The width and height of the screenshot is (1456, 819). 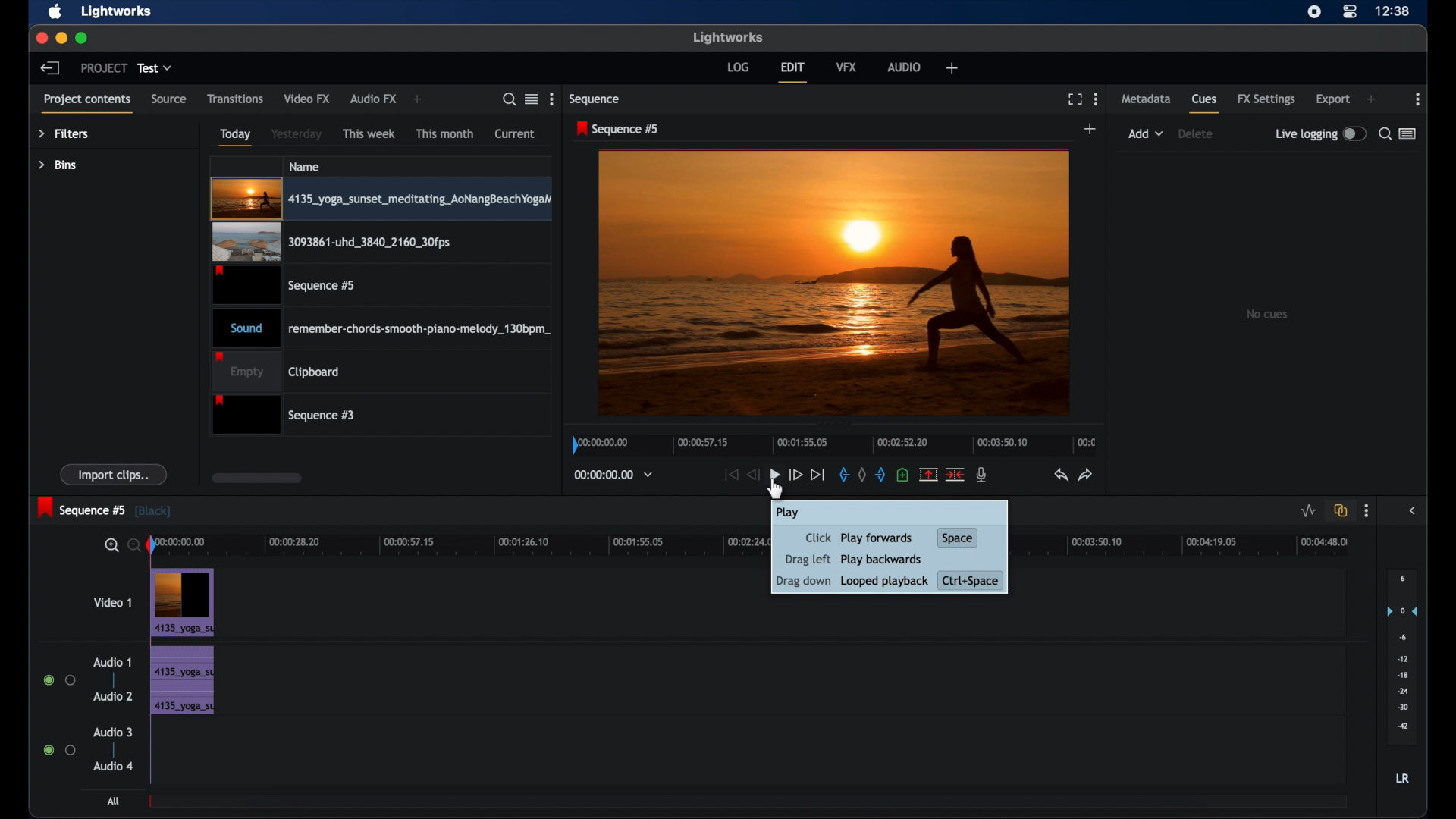 I want to click on jump to  start, so click(x=730, y=475).